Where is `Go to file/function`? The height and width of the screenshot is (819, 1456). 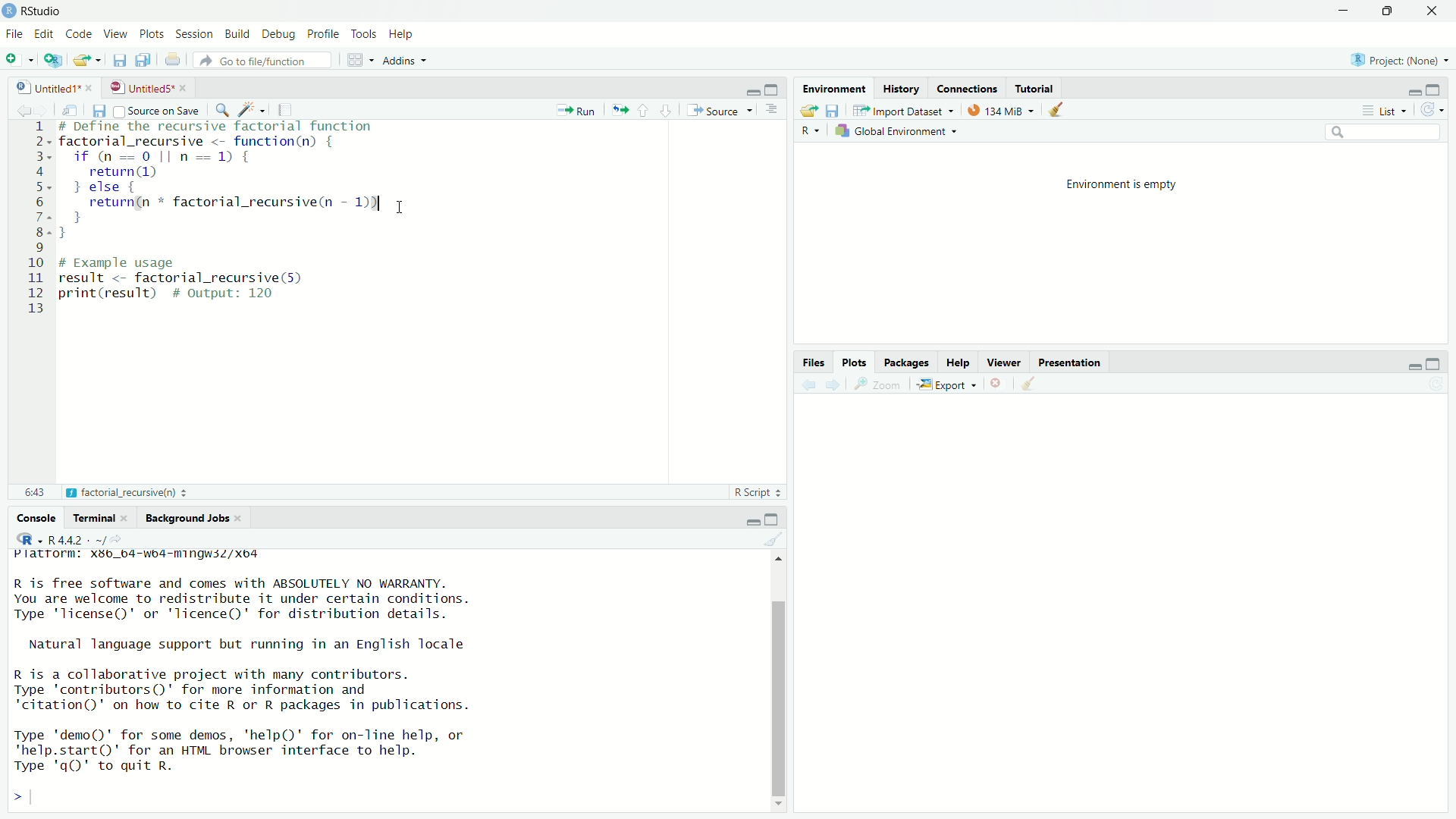
Go to file/function is located at coordinates (268, 61).